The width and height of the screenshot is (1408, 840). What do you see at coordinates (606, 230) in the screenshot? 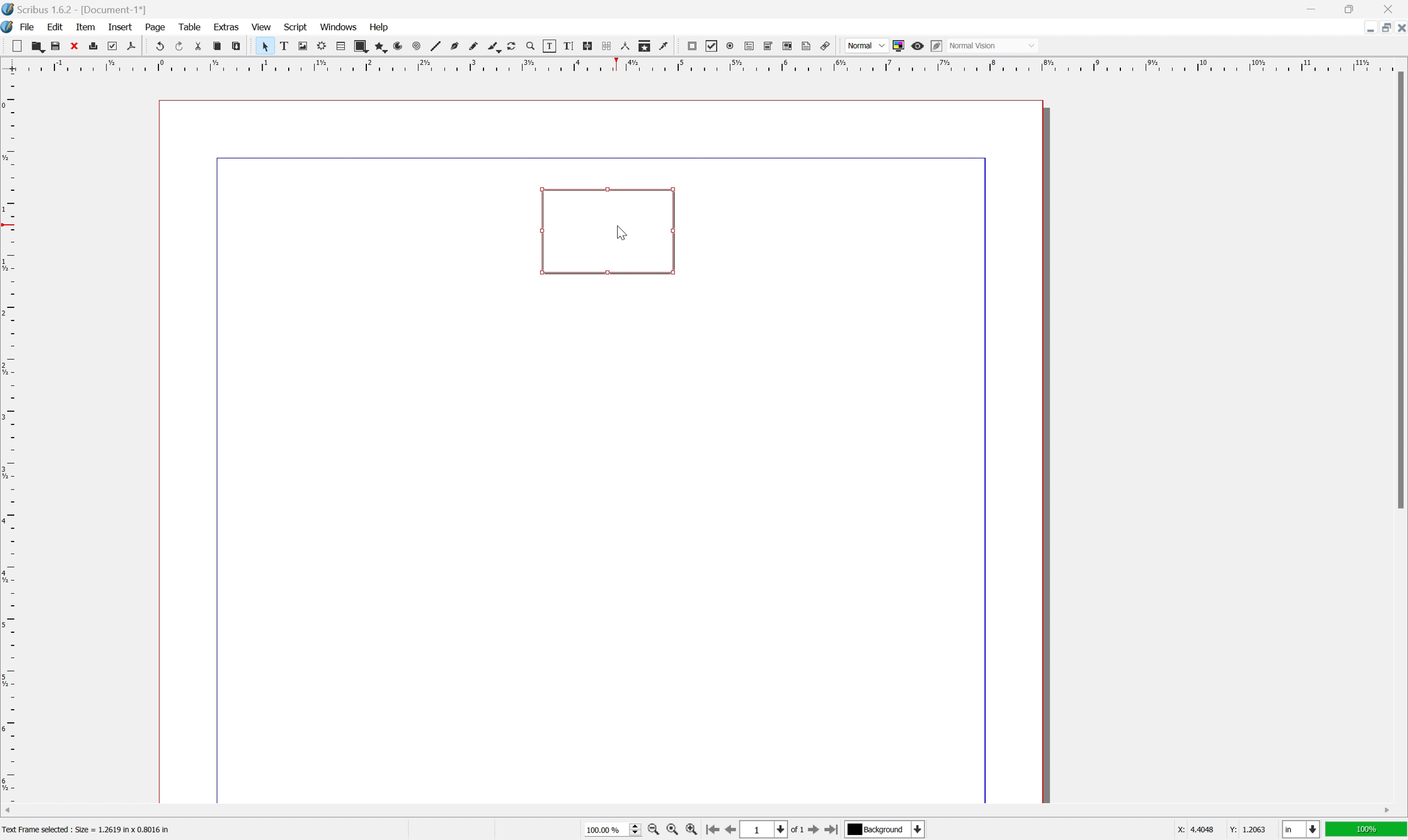
I see `Button` at bounding box center [606, 230].